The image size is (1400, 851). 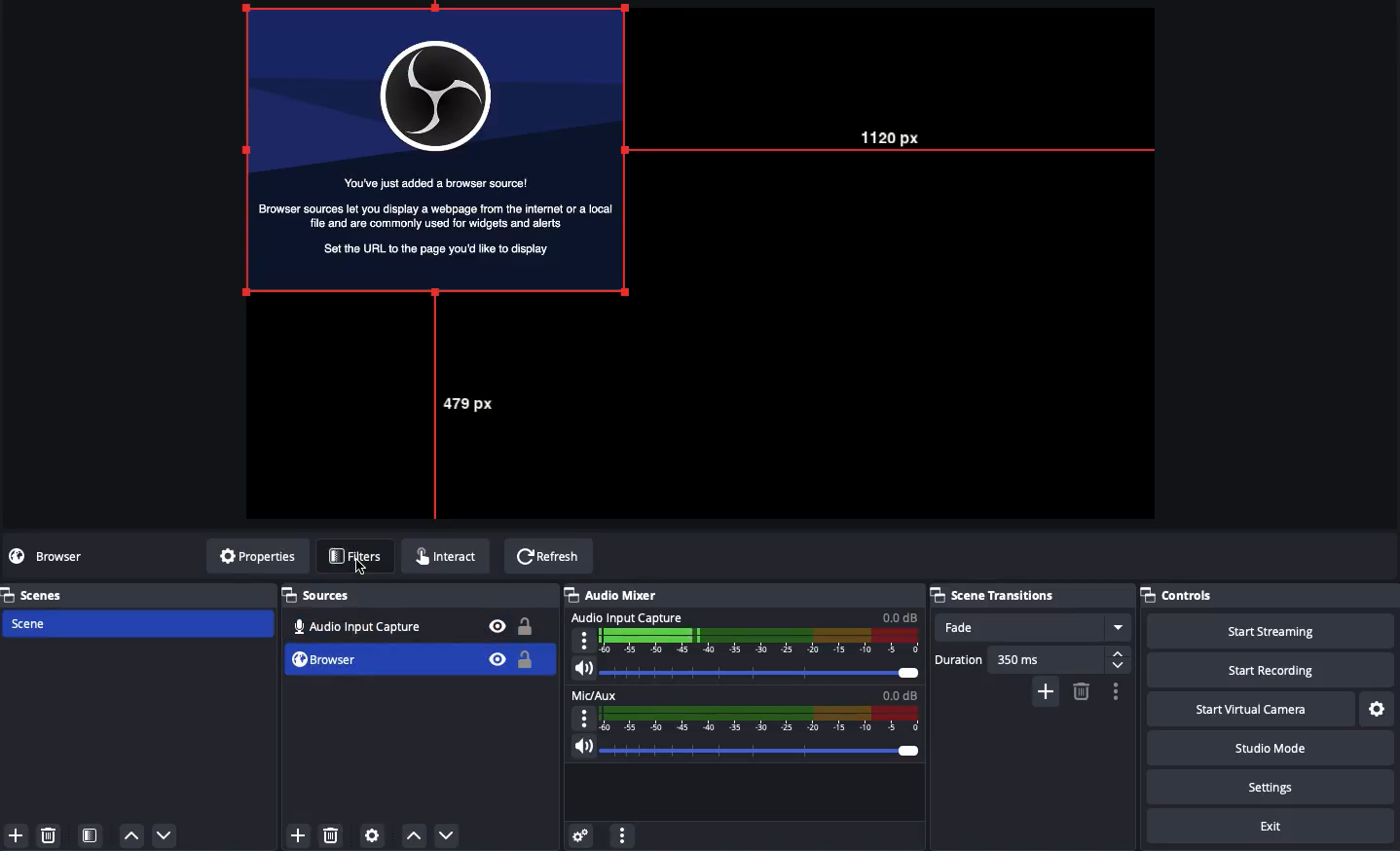 What do you see at coordinates (164, 831) in the screenshot?
I see `Down` at bounding box center [164, 831].